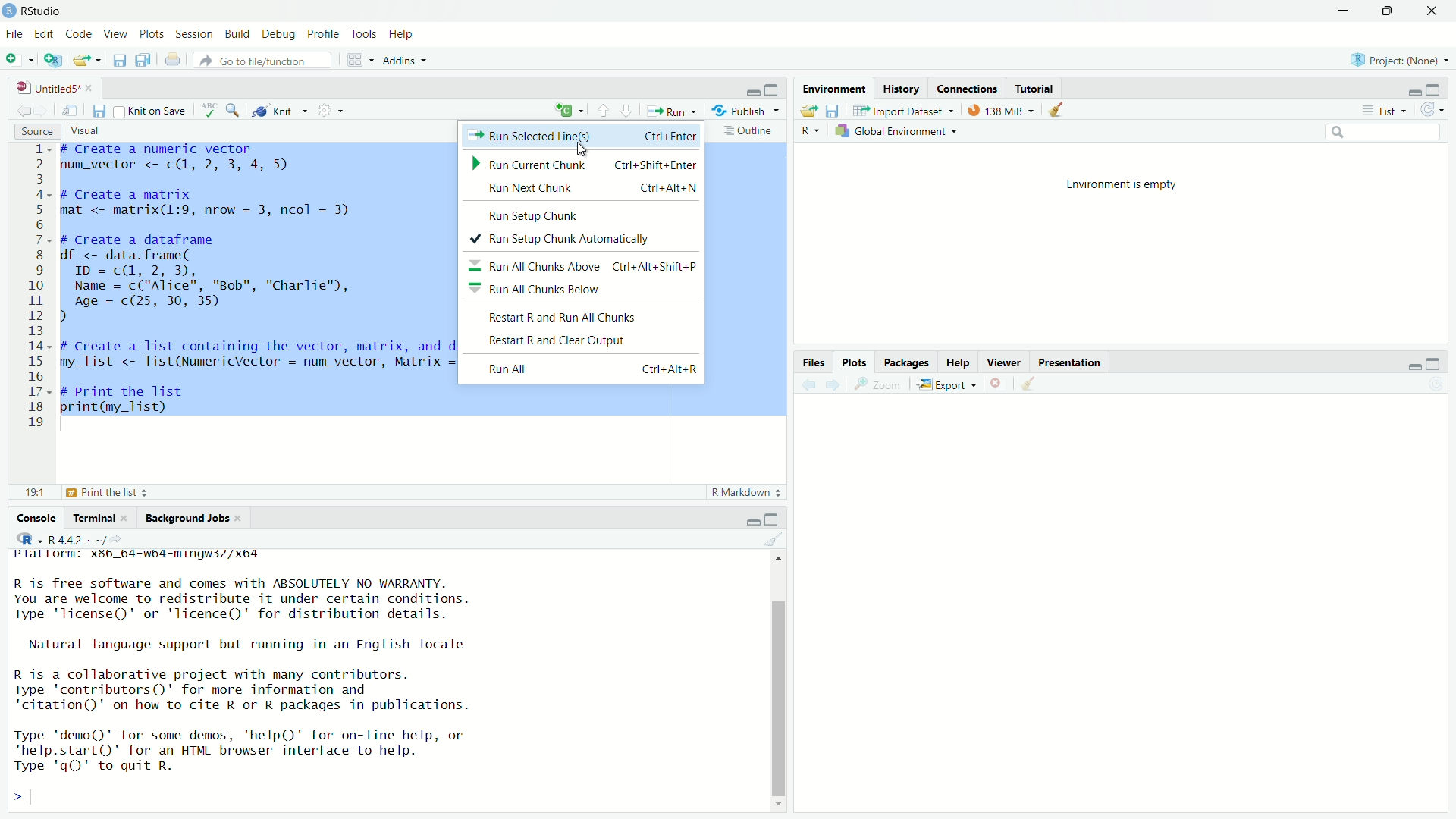 The width and height of the screenshot is (1456, 819). Describe the element at coordinates (174, 61) in the screenshot. I see `print` at that location.